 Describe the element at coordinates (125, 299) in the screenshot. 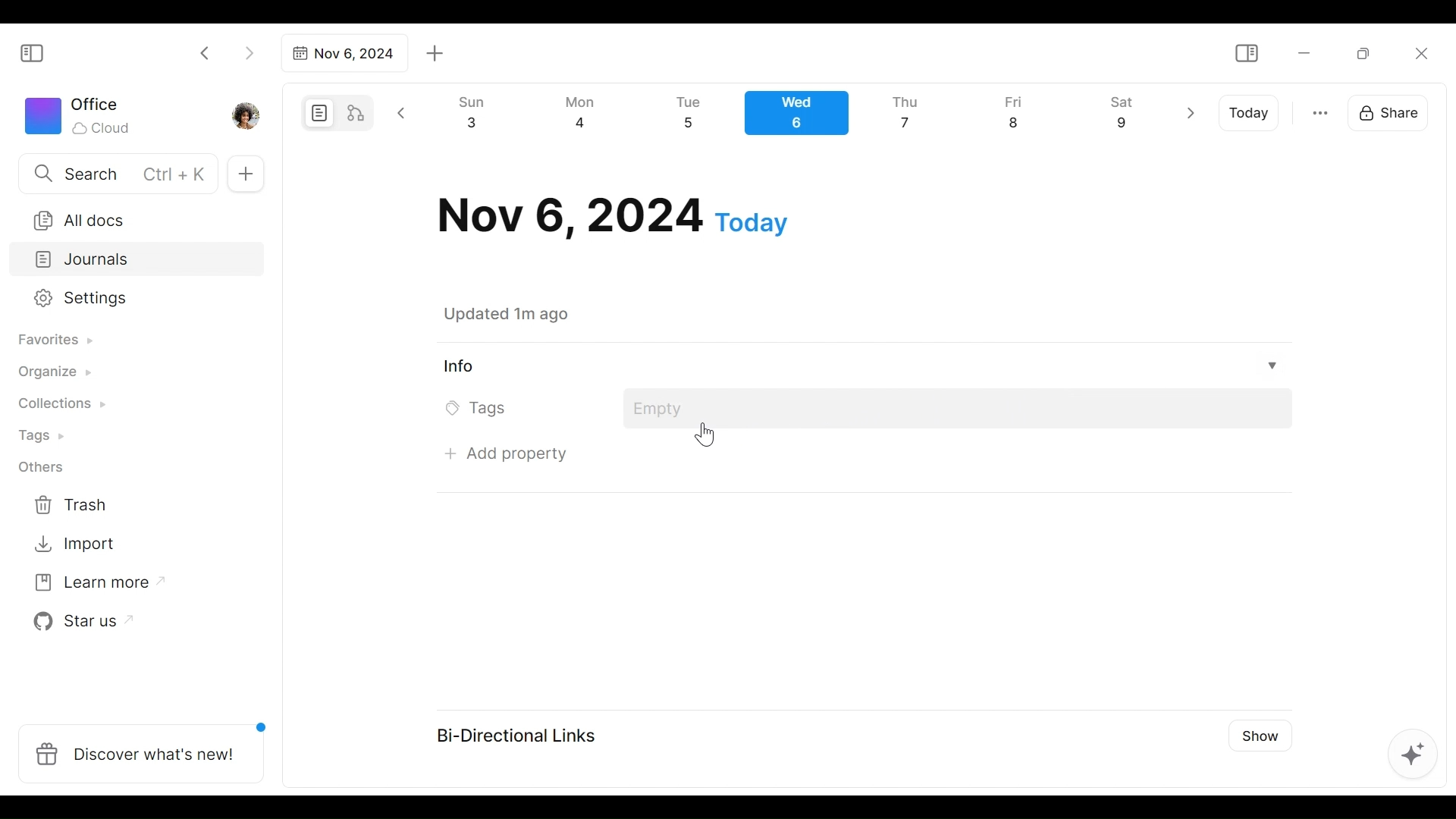

I see `Settings` at that location.